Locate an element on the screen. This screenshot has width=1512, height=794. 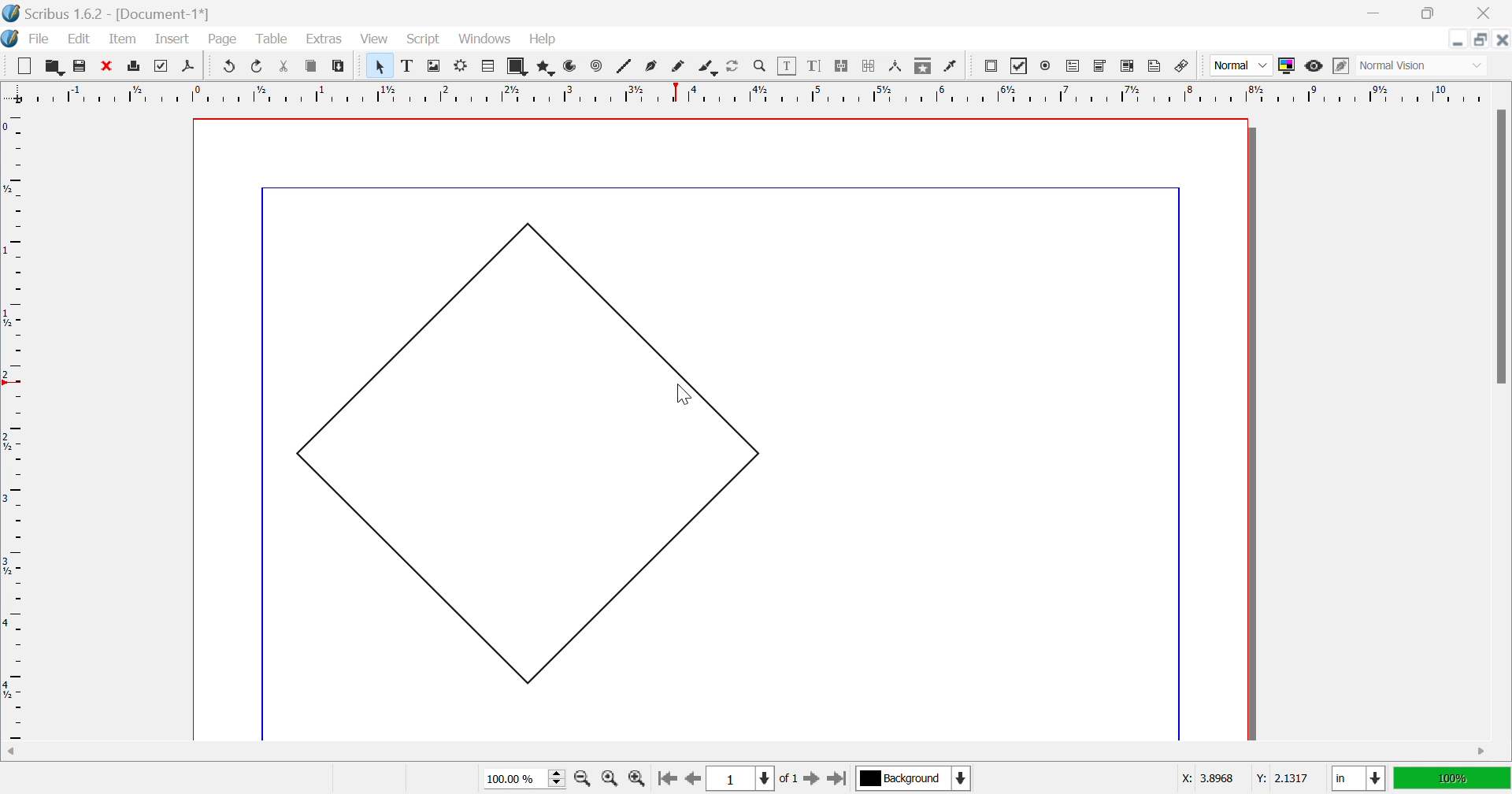
Select the image preview quality is located at coordinates (1240, 65).